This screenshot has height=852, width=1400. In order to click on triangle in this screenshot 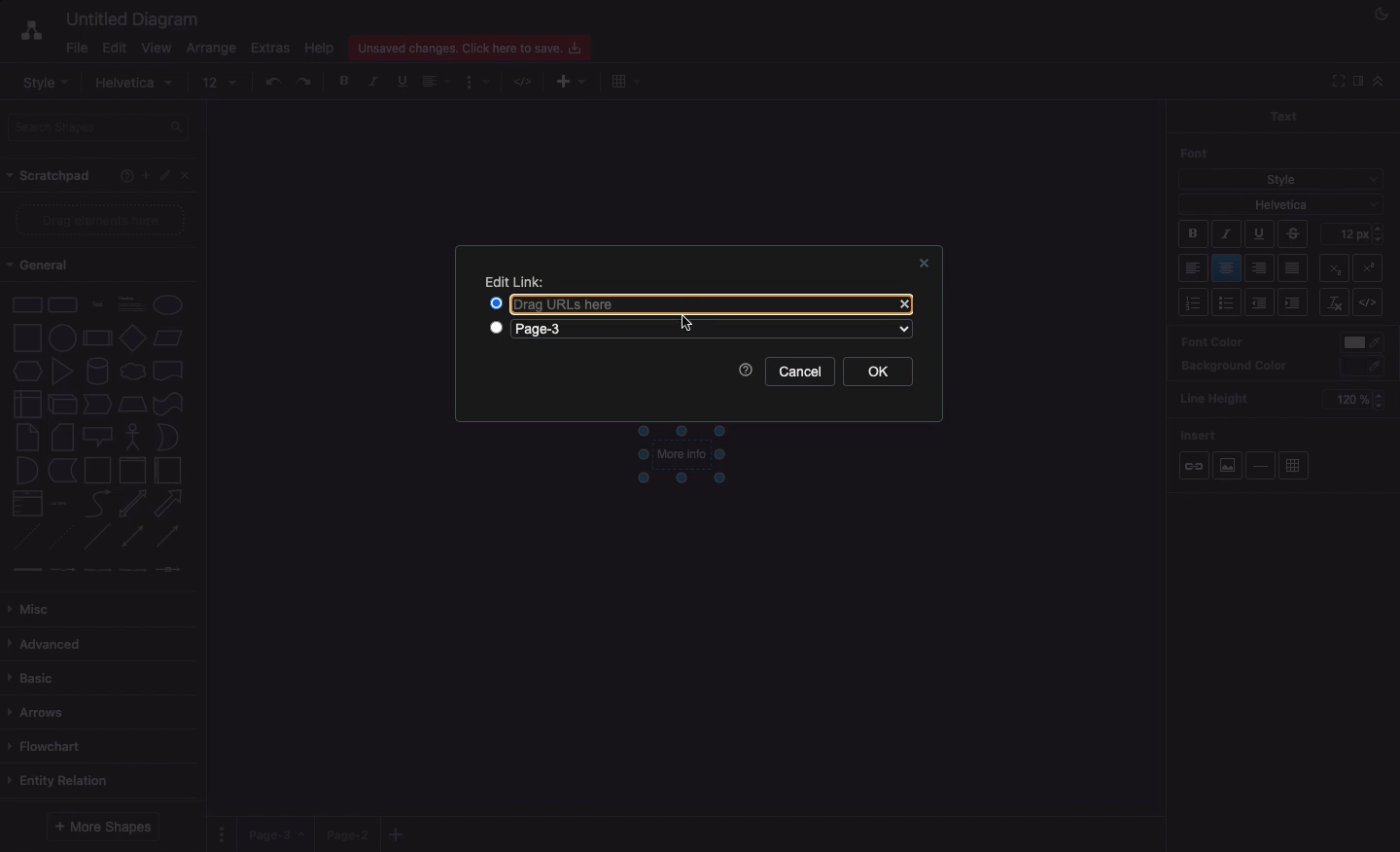, I will do `click(63, 371)`.